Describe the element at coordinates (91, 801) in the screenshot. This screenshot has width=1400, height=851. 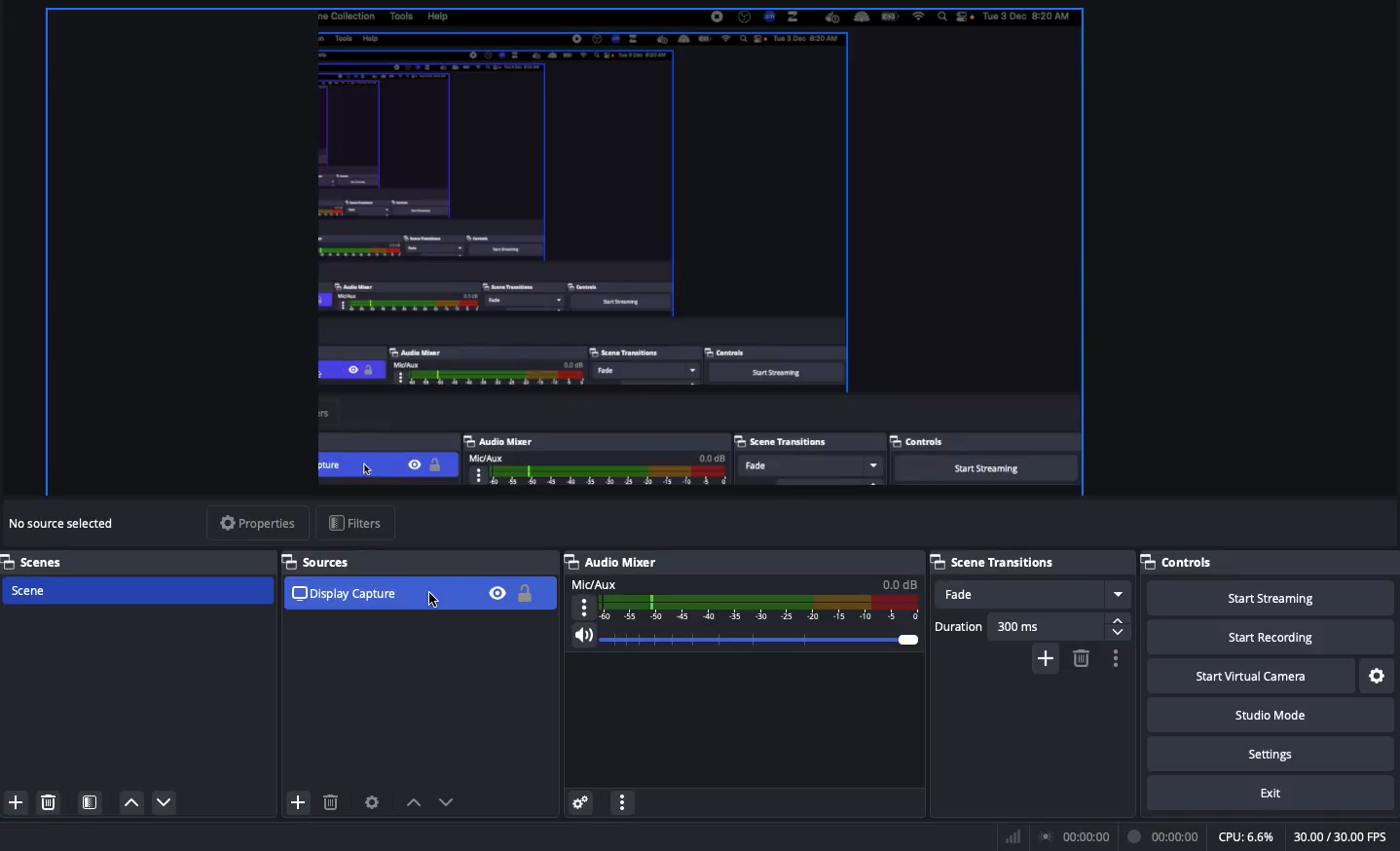
I see `Scene filter` at that location.